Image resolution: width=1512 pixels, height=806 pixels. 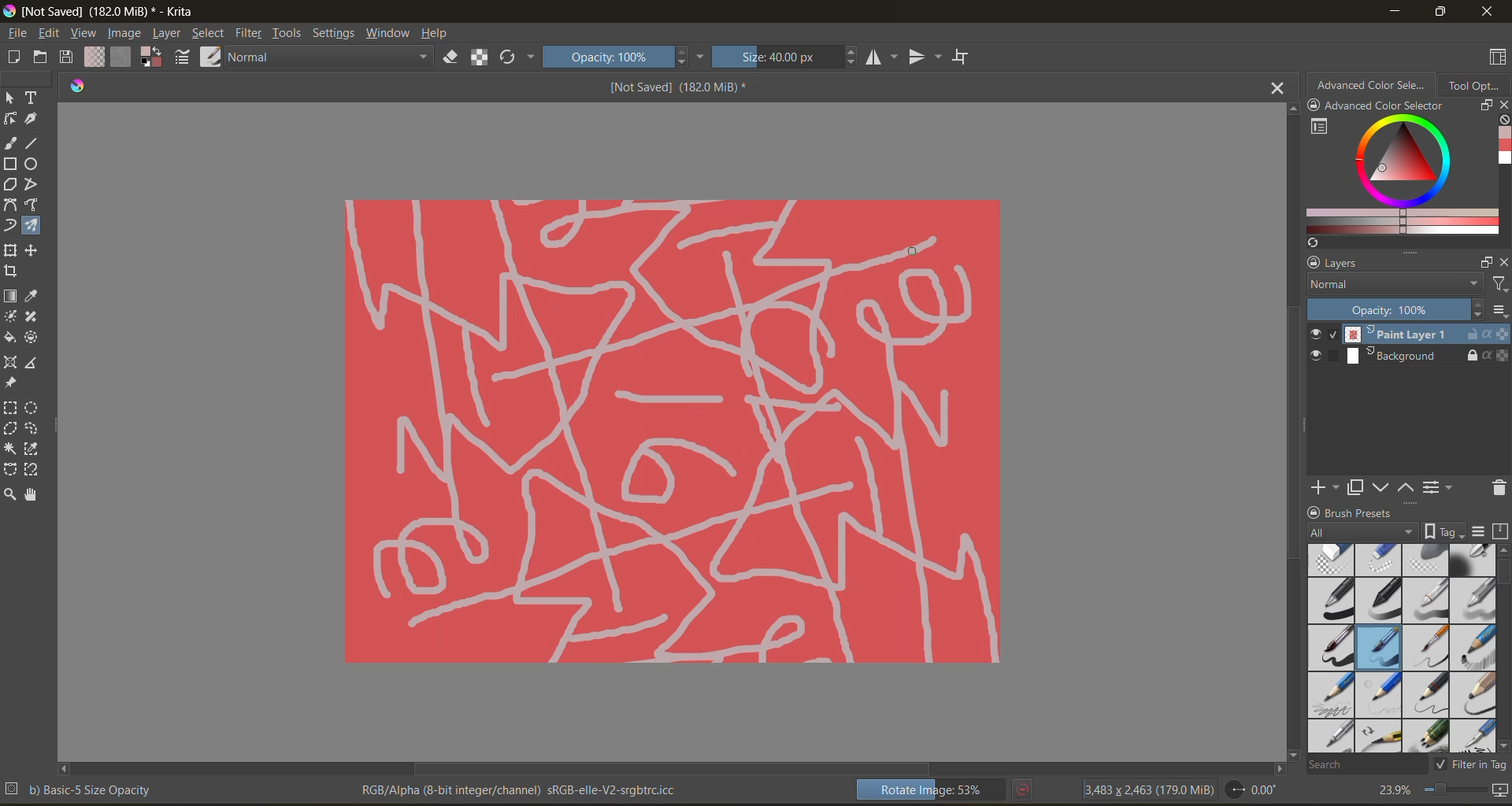 What do you see at coordinates (391, 35) in the screenshot?
I see `window` at bounding box center [391, 35].